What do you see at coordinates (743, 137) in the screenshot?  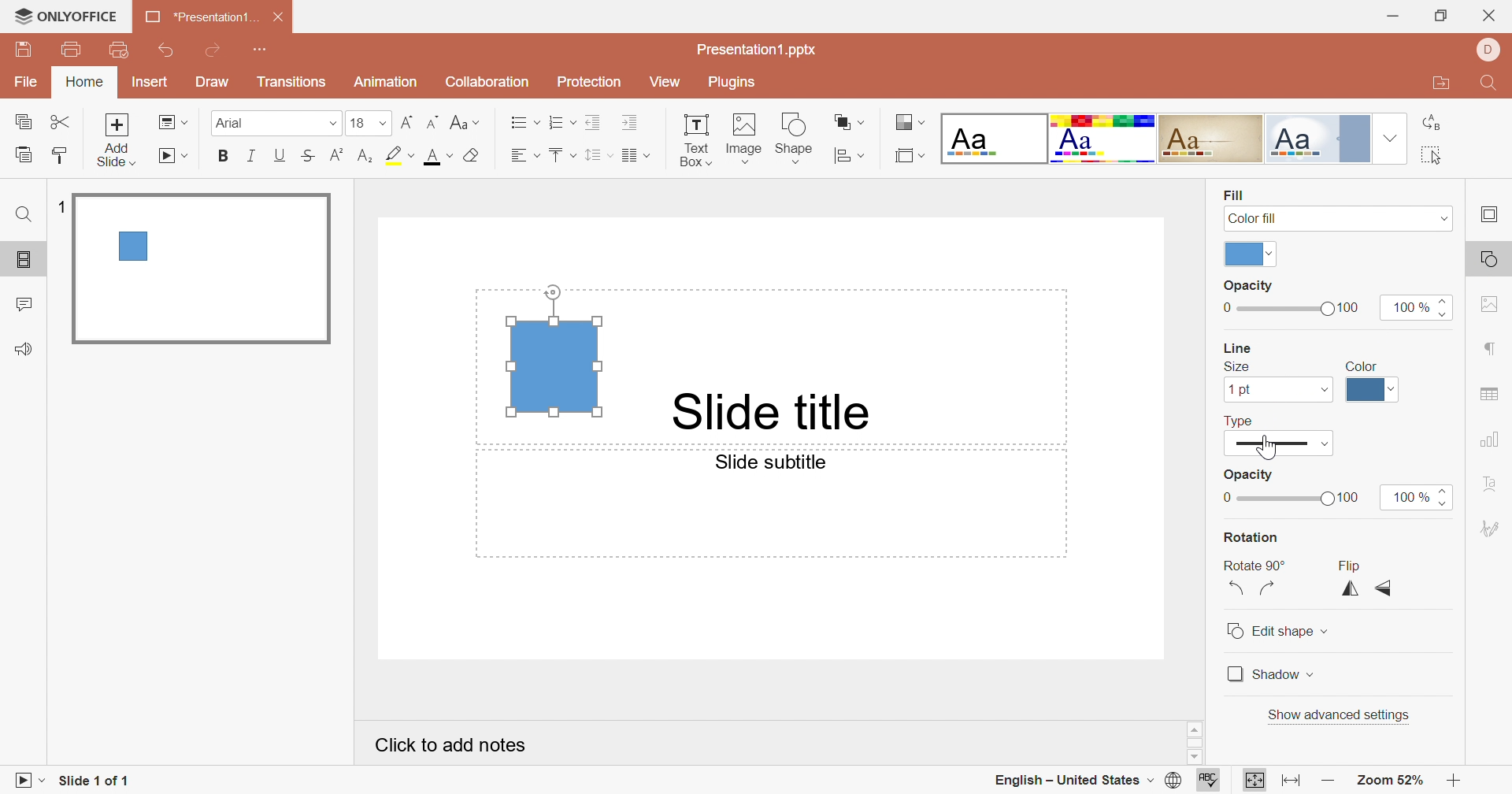 I see `Images` at bounding box center [743, 137].